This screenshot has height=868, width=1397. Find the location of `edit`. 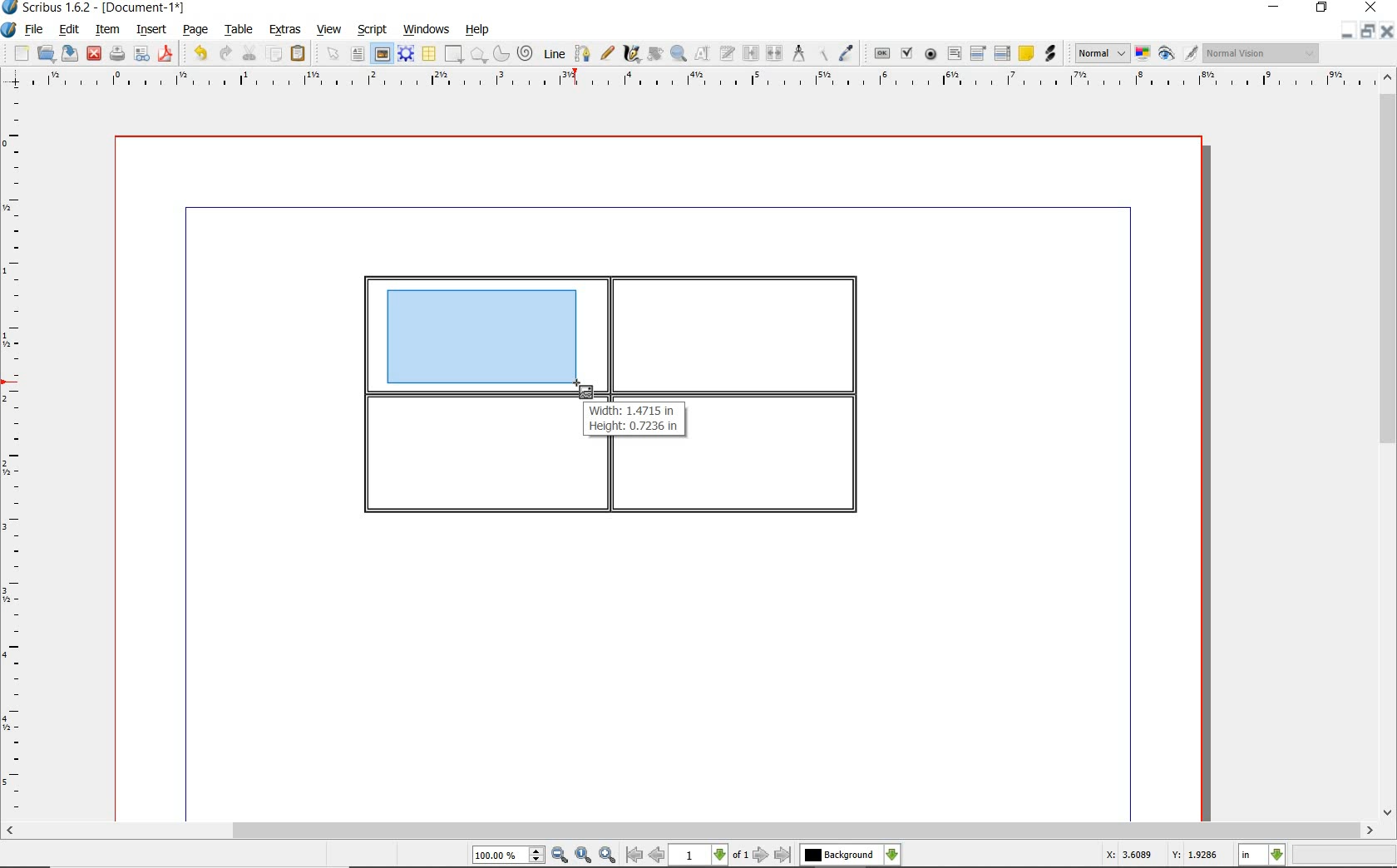

edit is located at coordinates (67, 30).